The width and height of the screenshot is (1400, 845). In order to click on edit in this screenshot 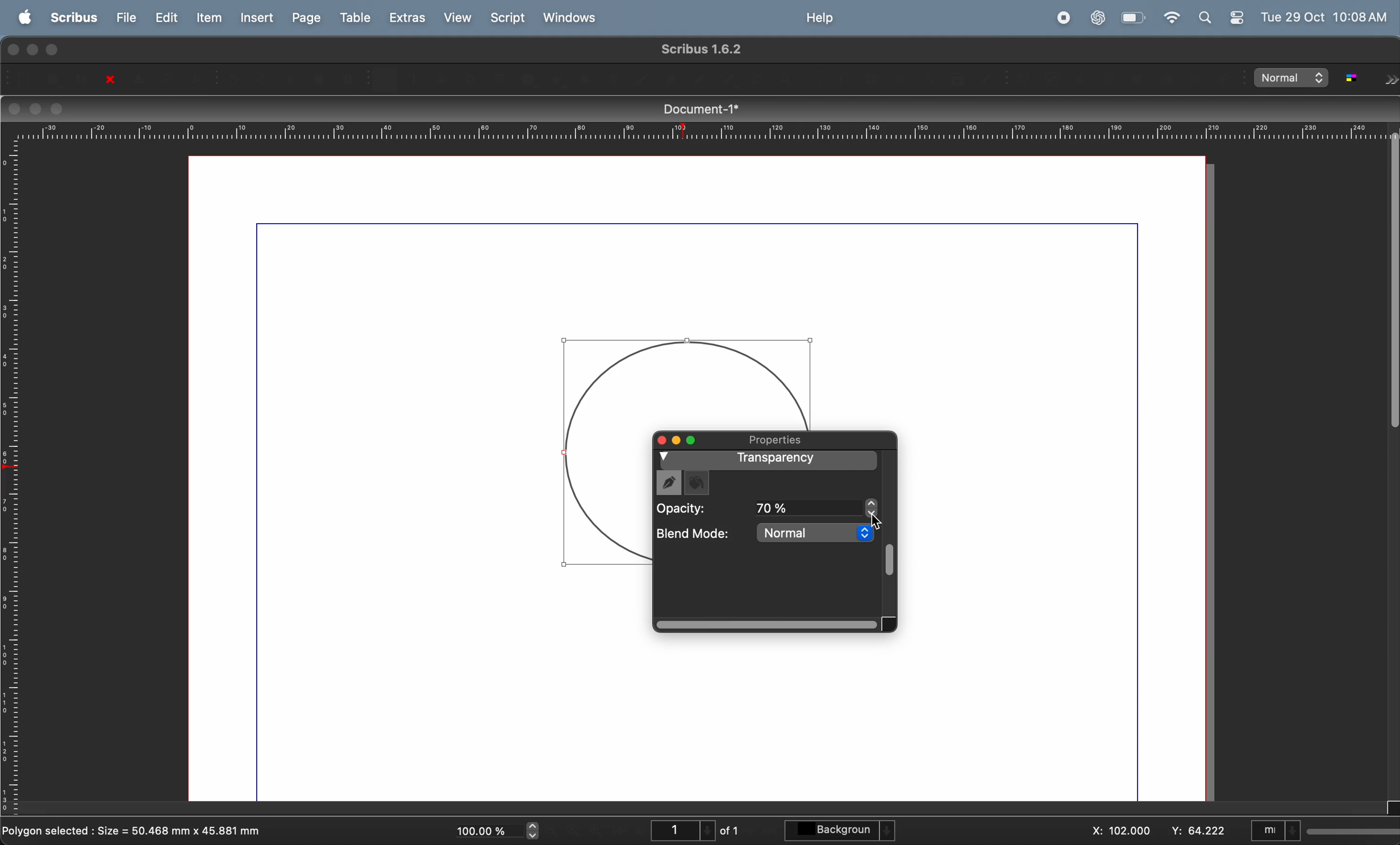, I will do `click(162, 18)`.